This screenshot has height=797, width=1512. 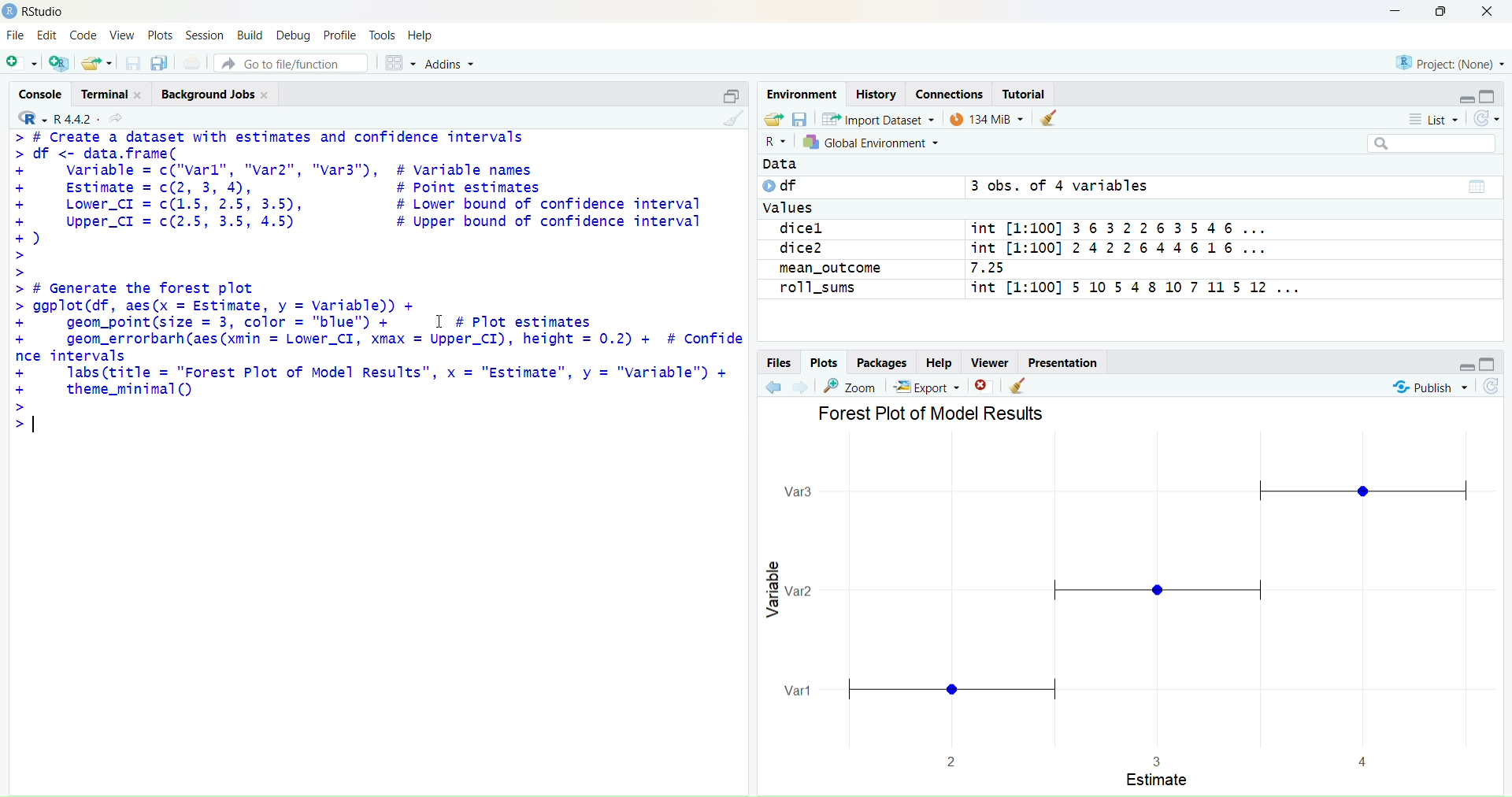 What do you see at coordinates (984, 117) in the screenshot?
I see `134 MB` at bounding box center [984, 117].